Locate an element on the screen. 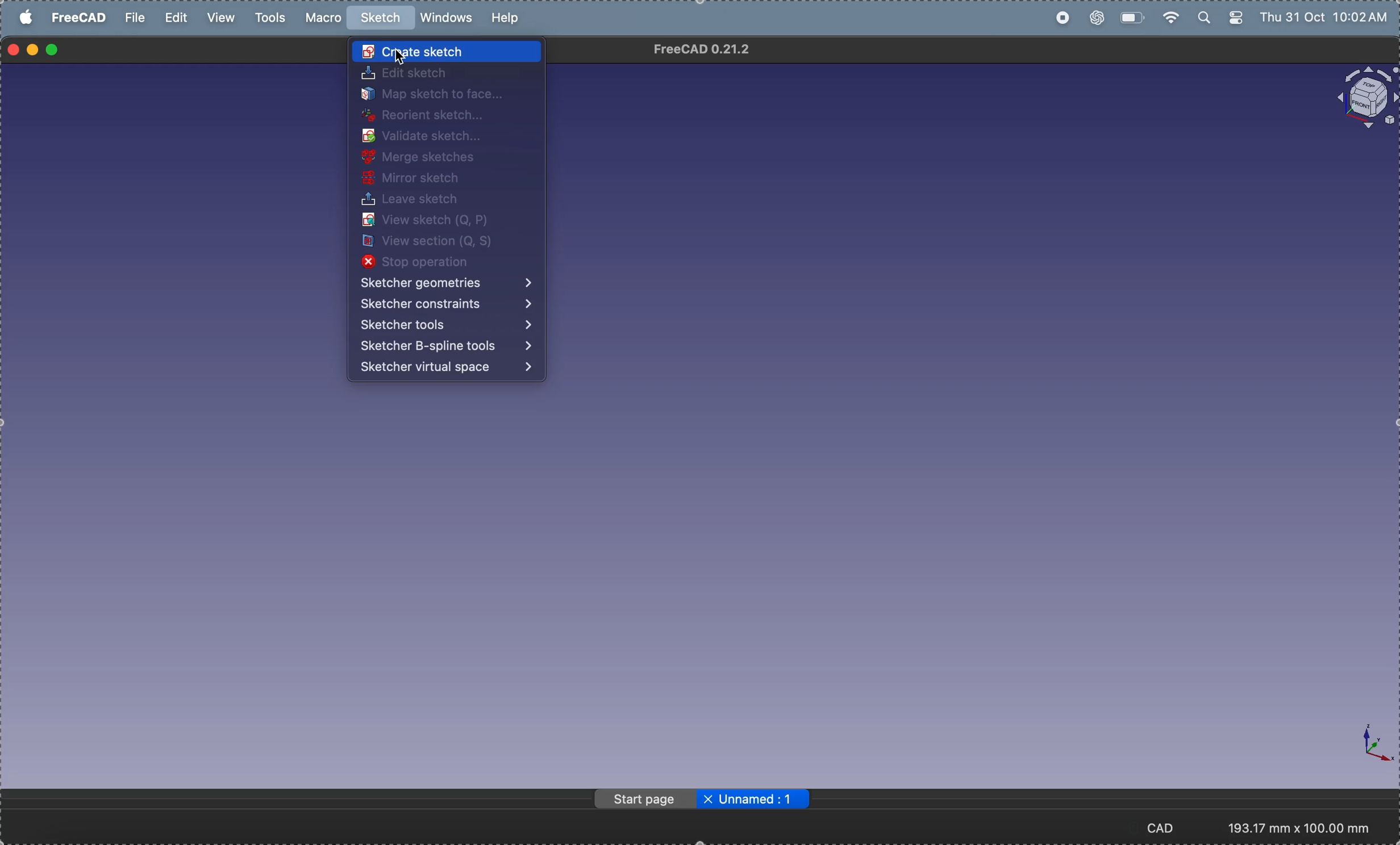  close file is located at coordinates (708, 800).